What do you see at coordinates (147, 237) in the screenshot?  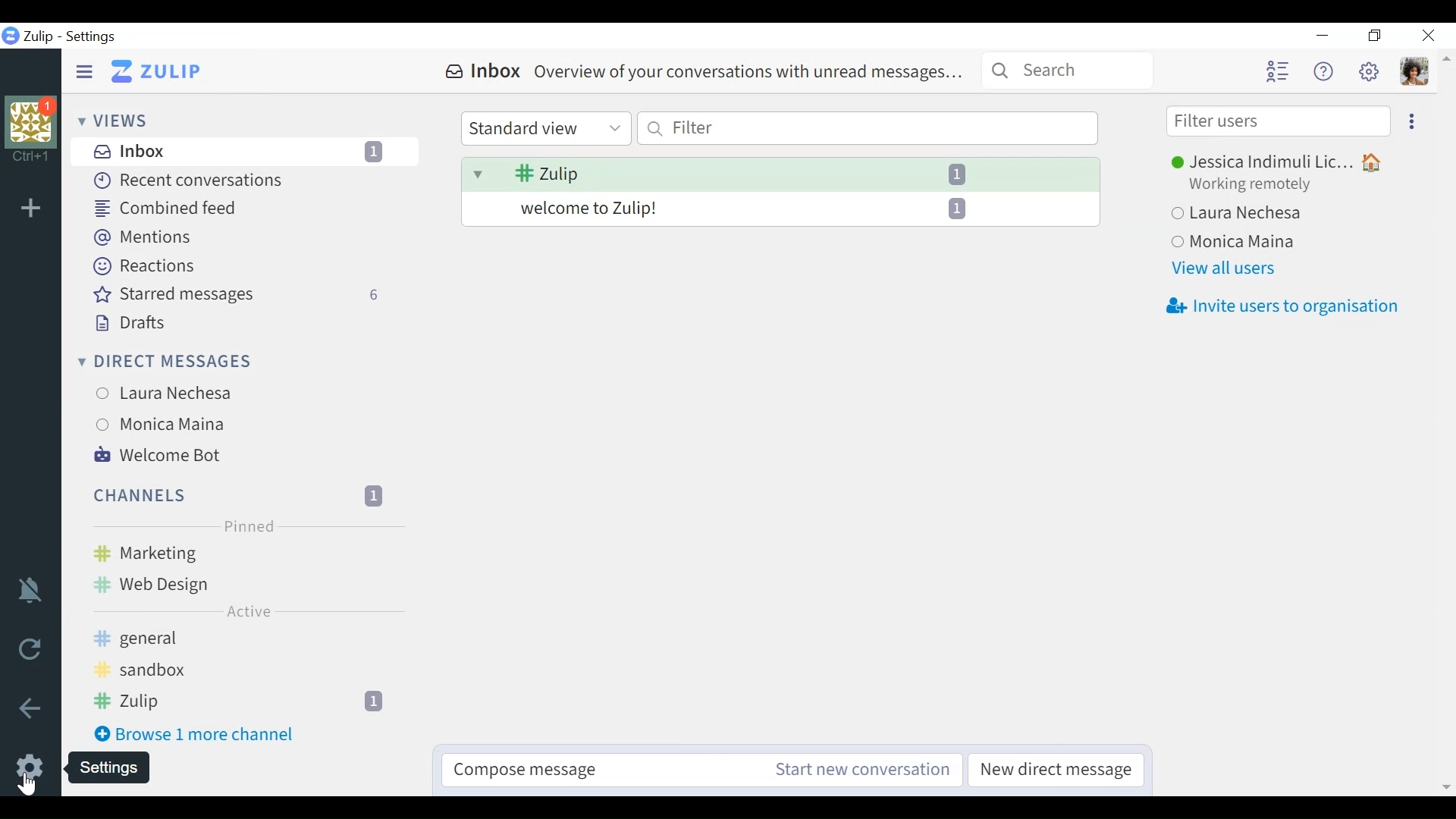 I see `Mentions` at bounding box center [147, 237].